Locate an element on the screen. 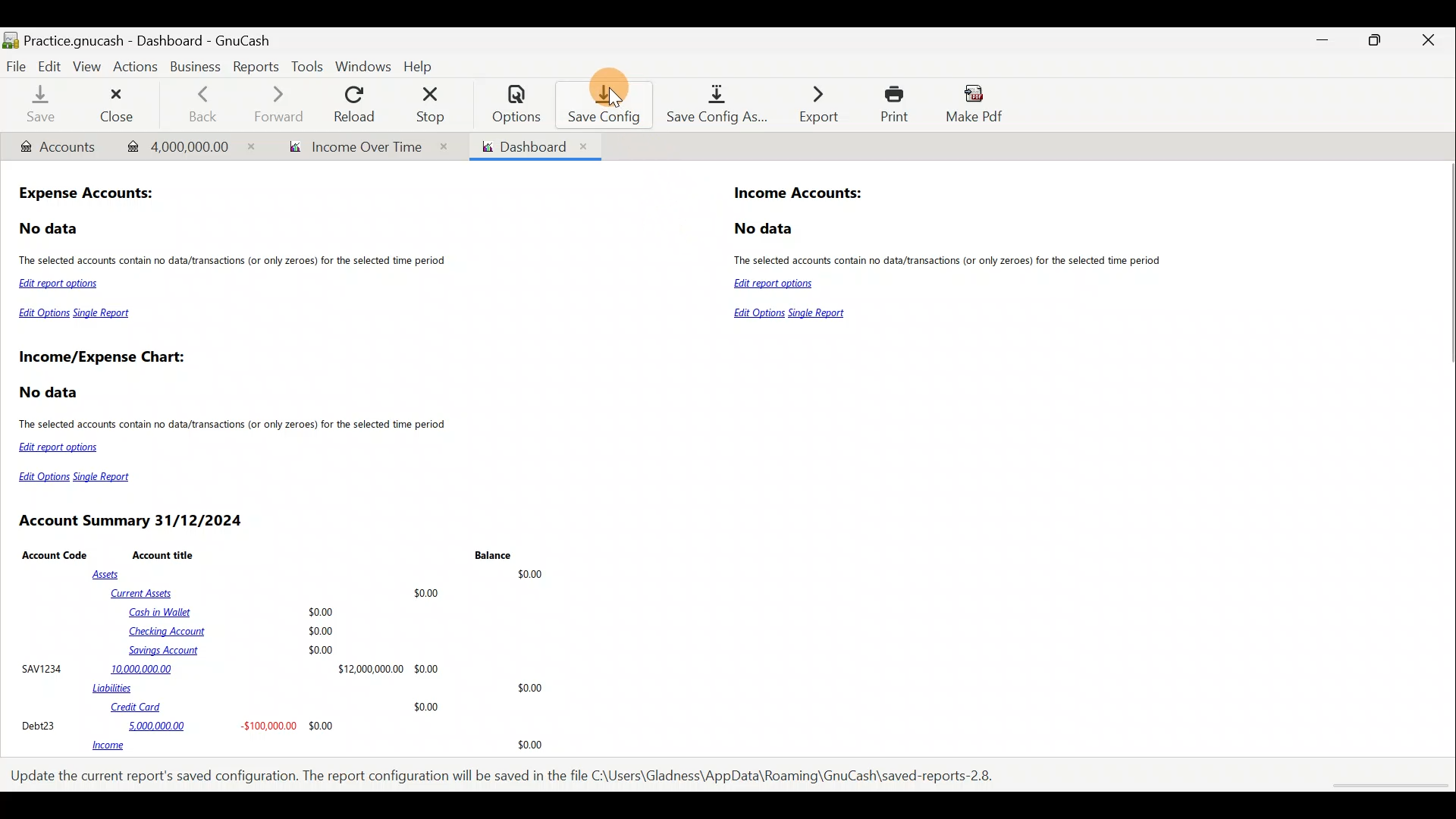  Current Assets $0.00 is located at coordinates (278, 592).